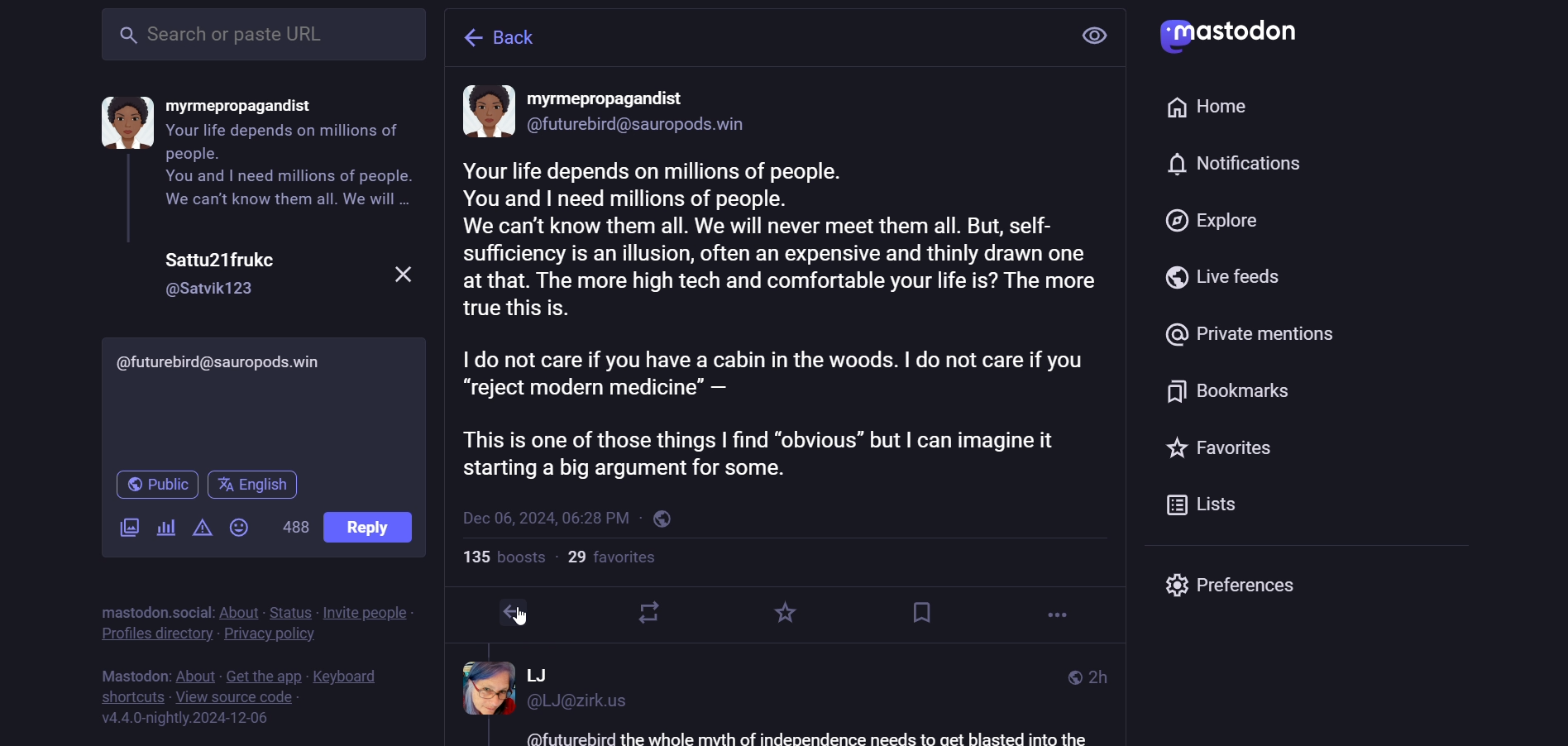  I want to click on back, so click(506, 36).